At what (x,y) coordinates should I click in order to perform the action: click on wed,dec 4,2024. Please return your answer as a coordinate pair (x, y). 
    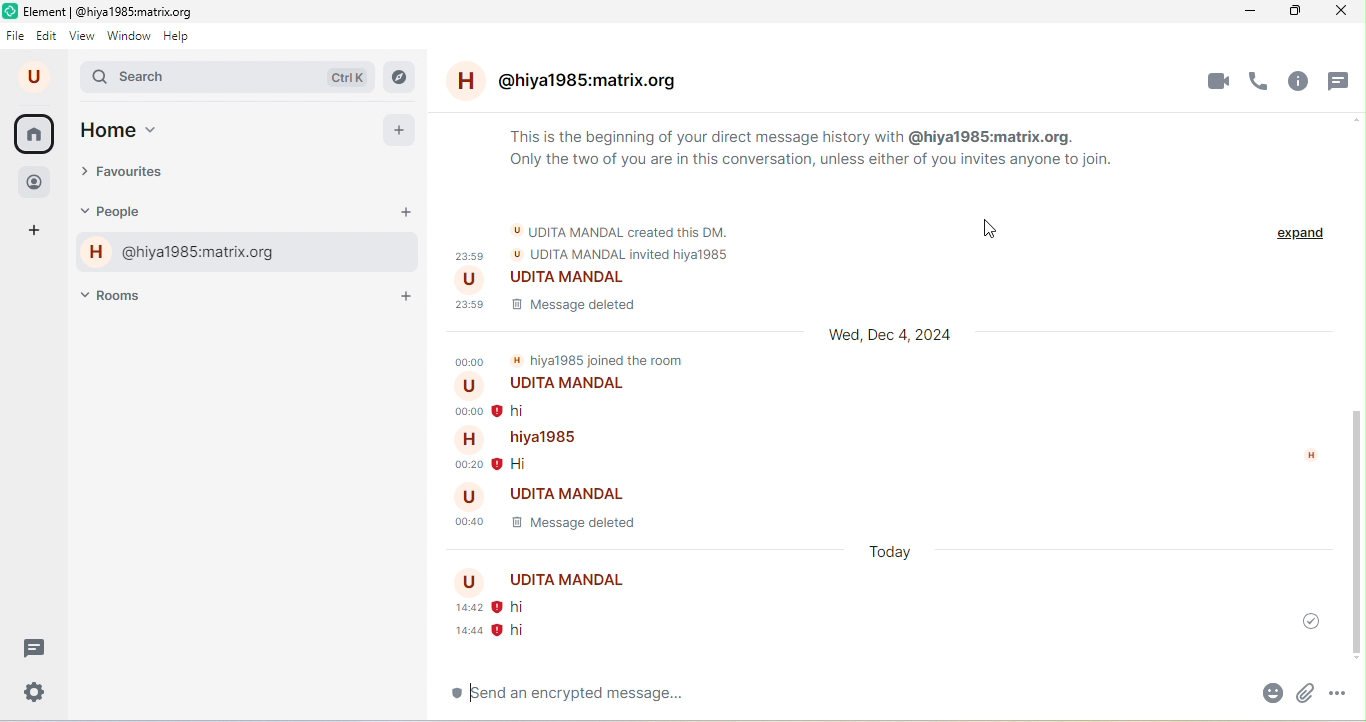
    Looking at the image, I should click on (893, 340).